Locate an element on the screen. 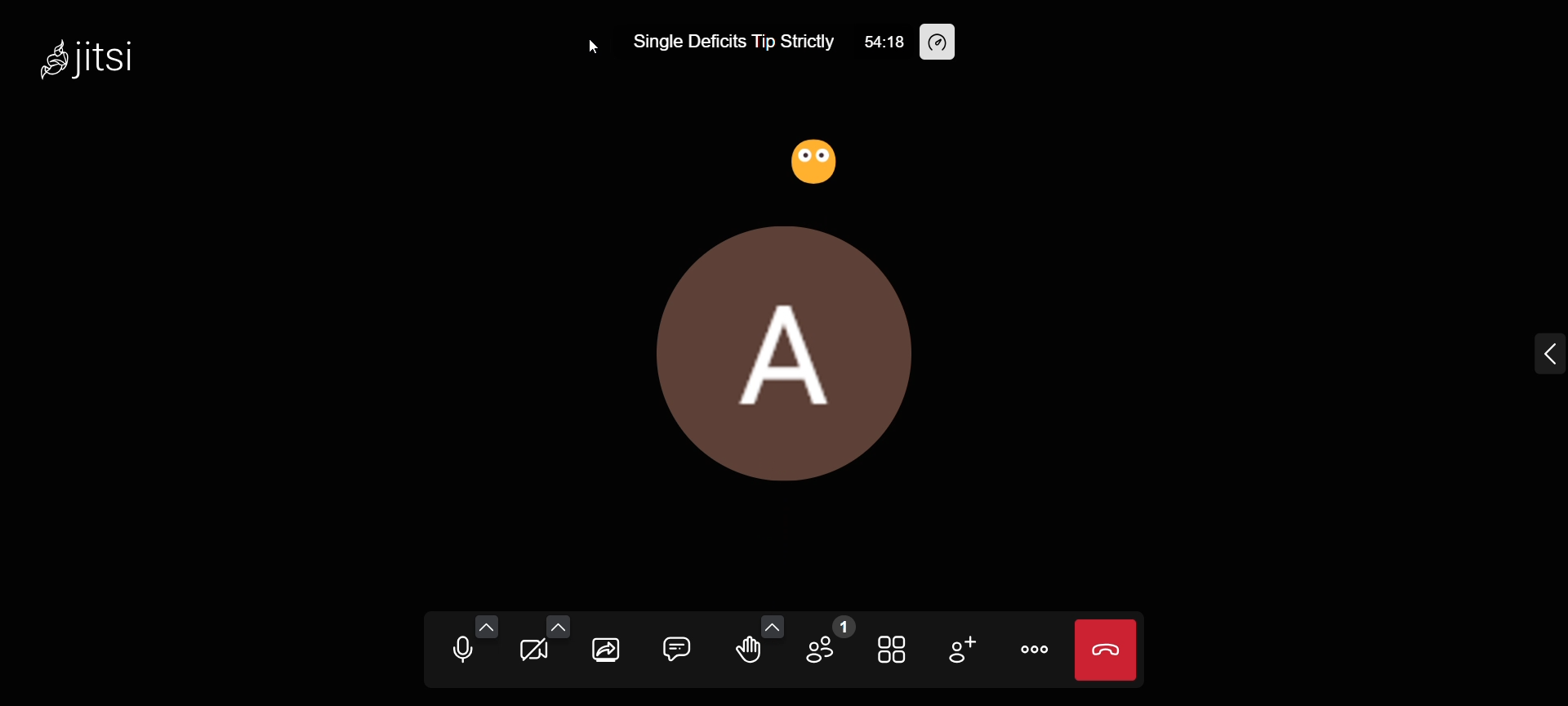 This screenshot has height=706, width=1568. Single Deficits Tip Strictly is located at coordinates (726, 41).